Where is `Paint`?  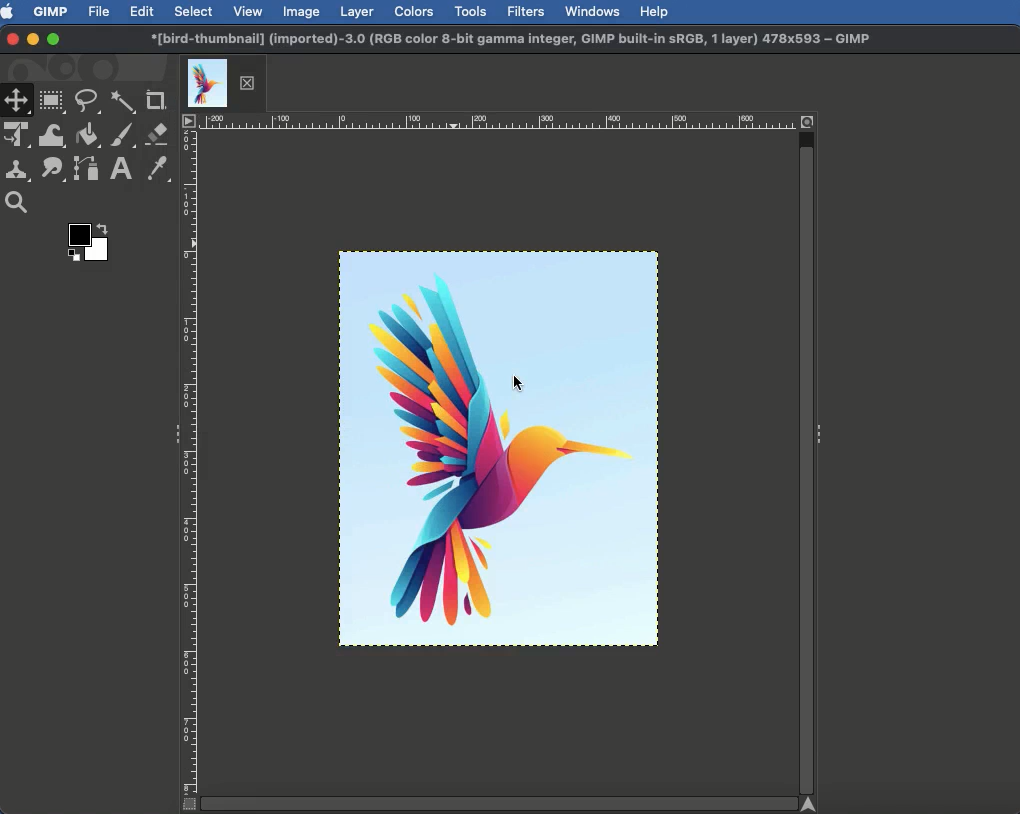
Paint is located at coordinates (124, 136).